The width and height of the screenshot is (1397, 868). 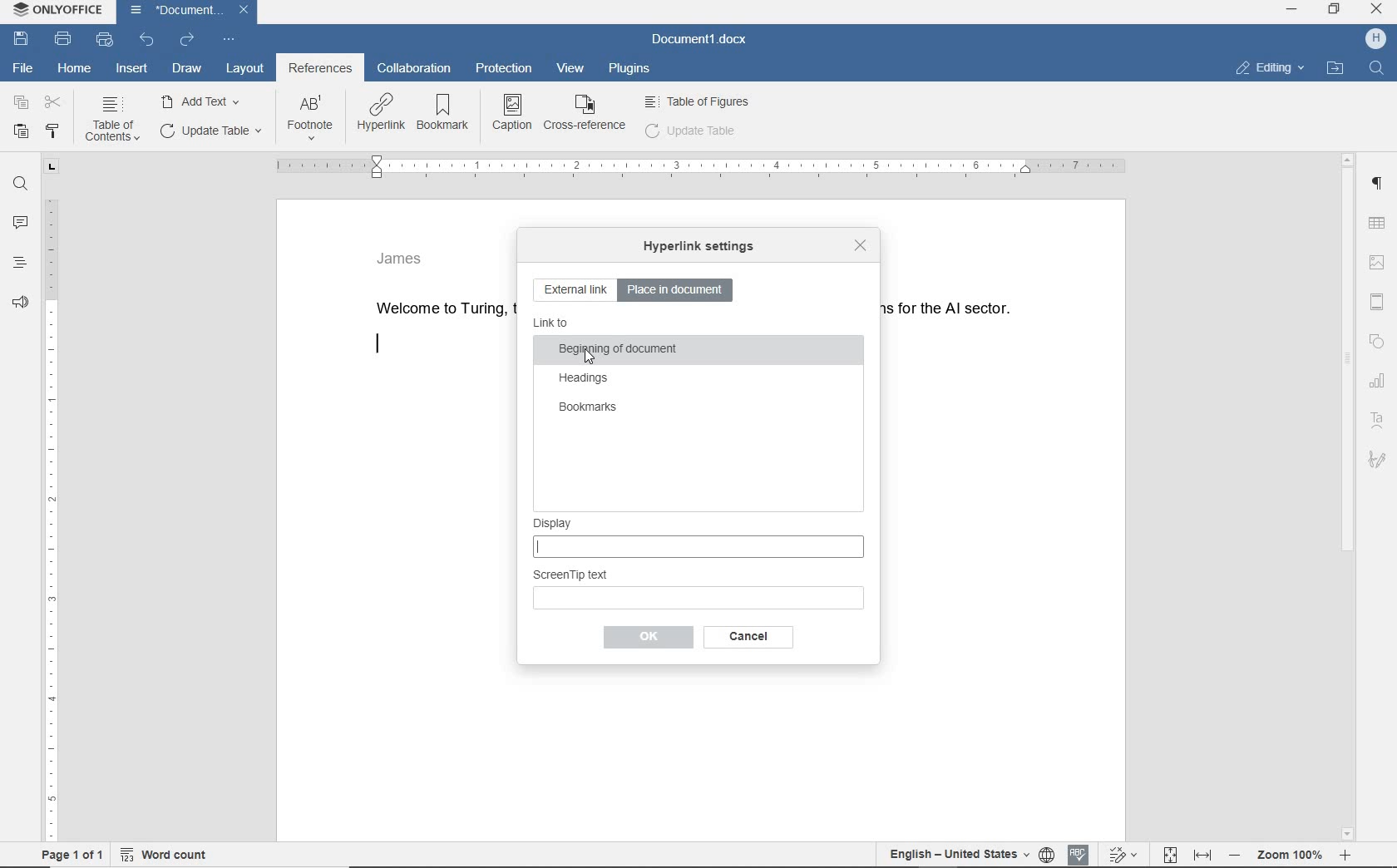 What do you see at coordinates (21, 131) in the screenshot?
I see `paste` at bounding box center [21, 131].